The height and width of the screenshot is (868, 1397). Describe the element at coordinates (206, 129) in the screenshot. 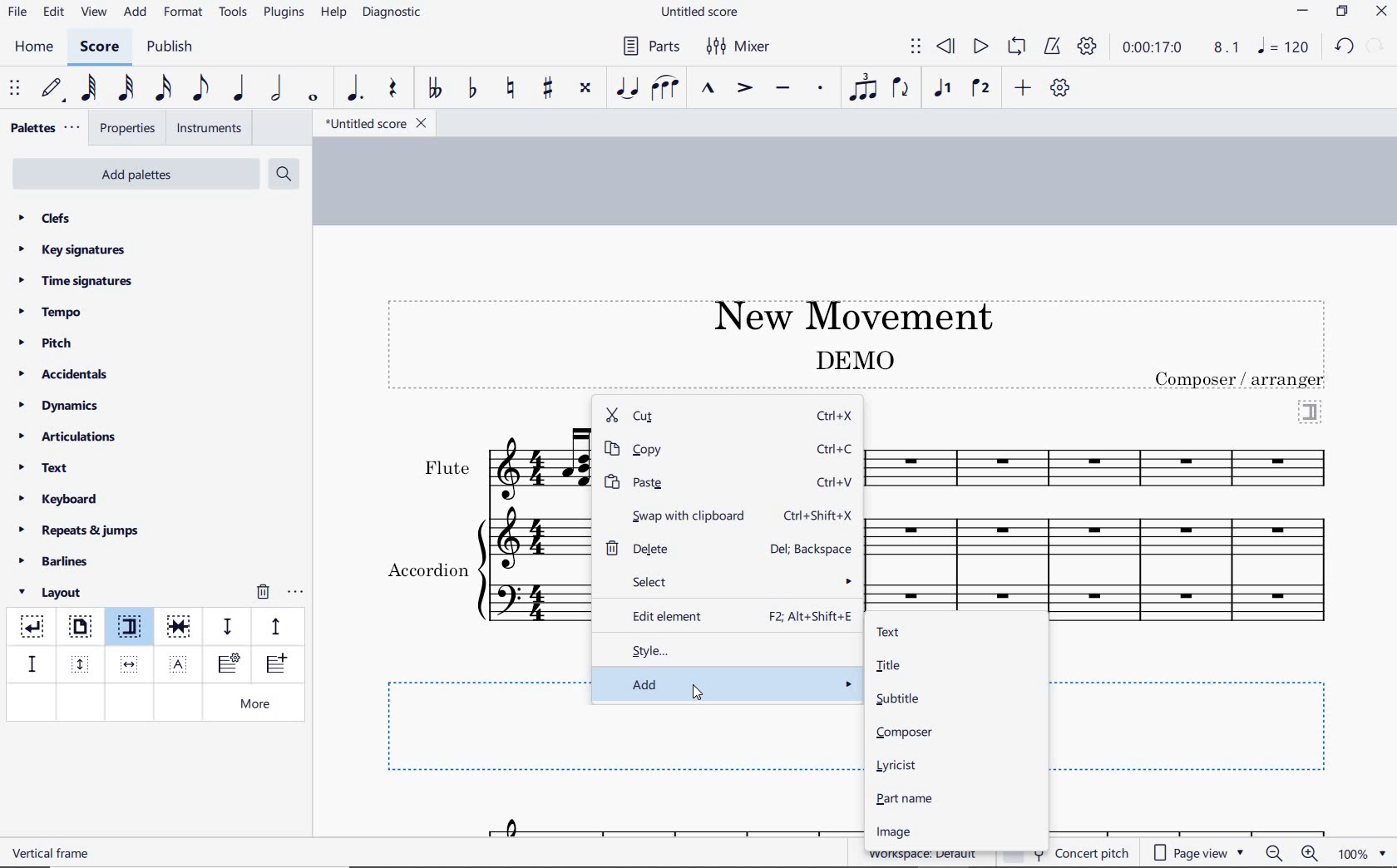

I see `instruments` at that location.